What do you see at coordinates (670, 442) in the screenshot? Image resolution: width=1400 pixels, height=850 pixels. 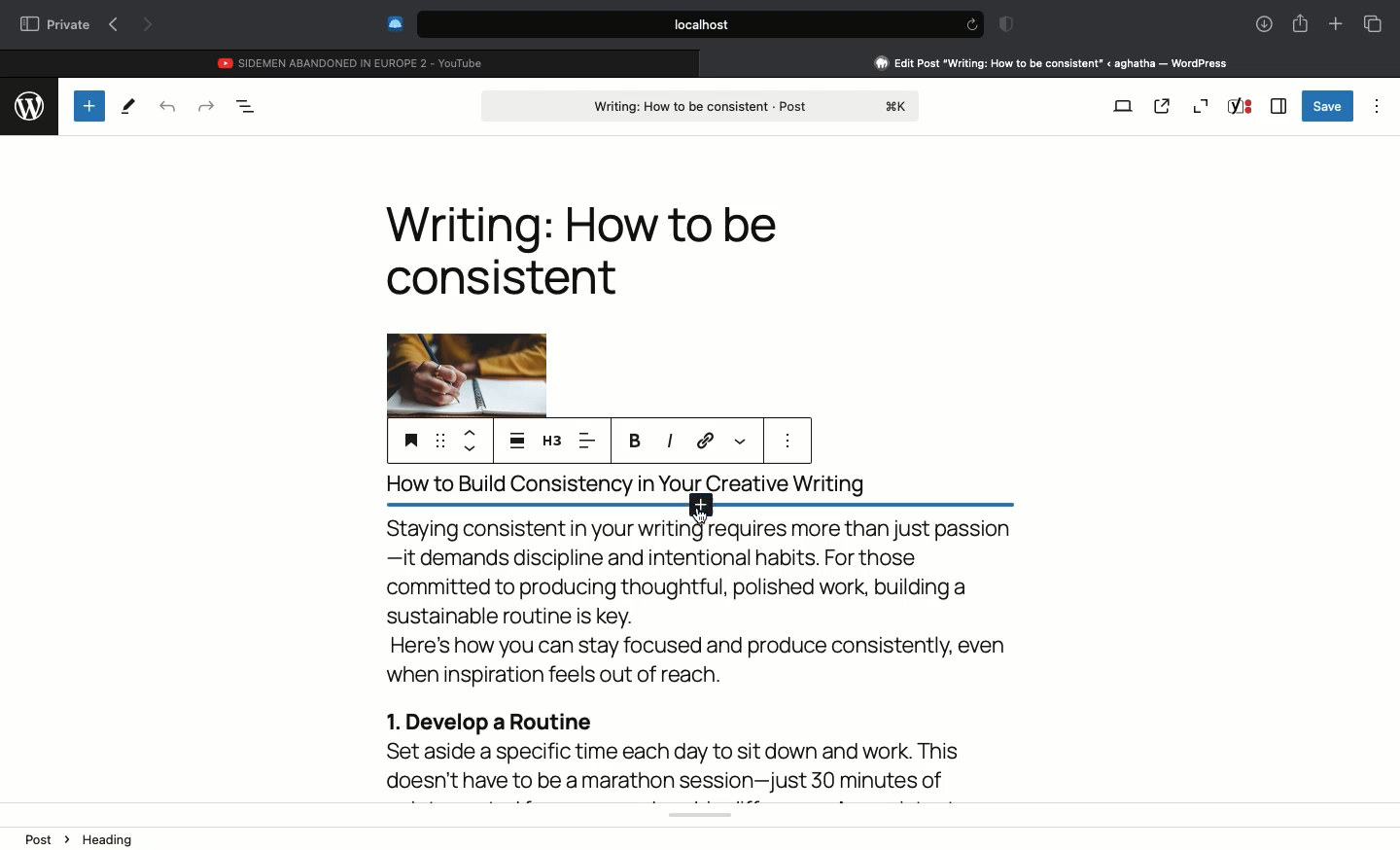 I see `Italics` at bounding box center [670, 442].